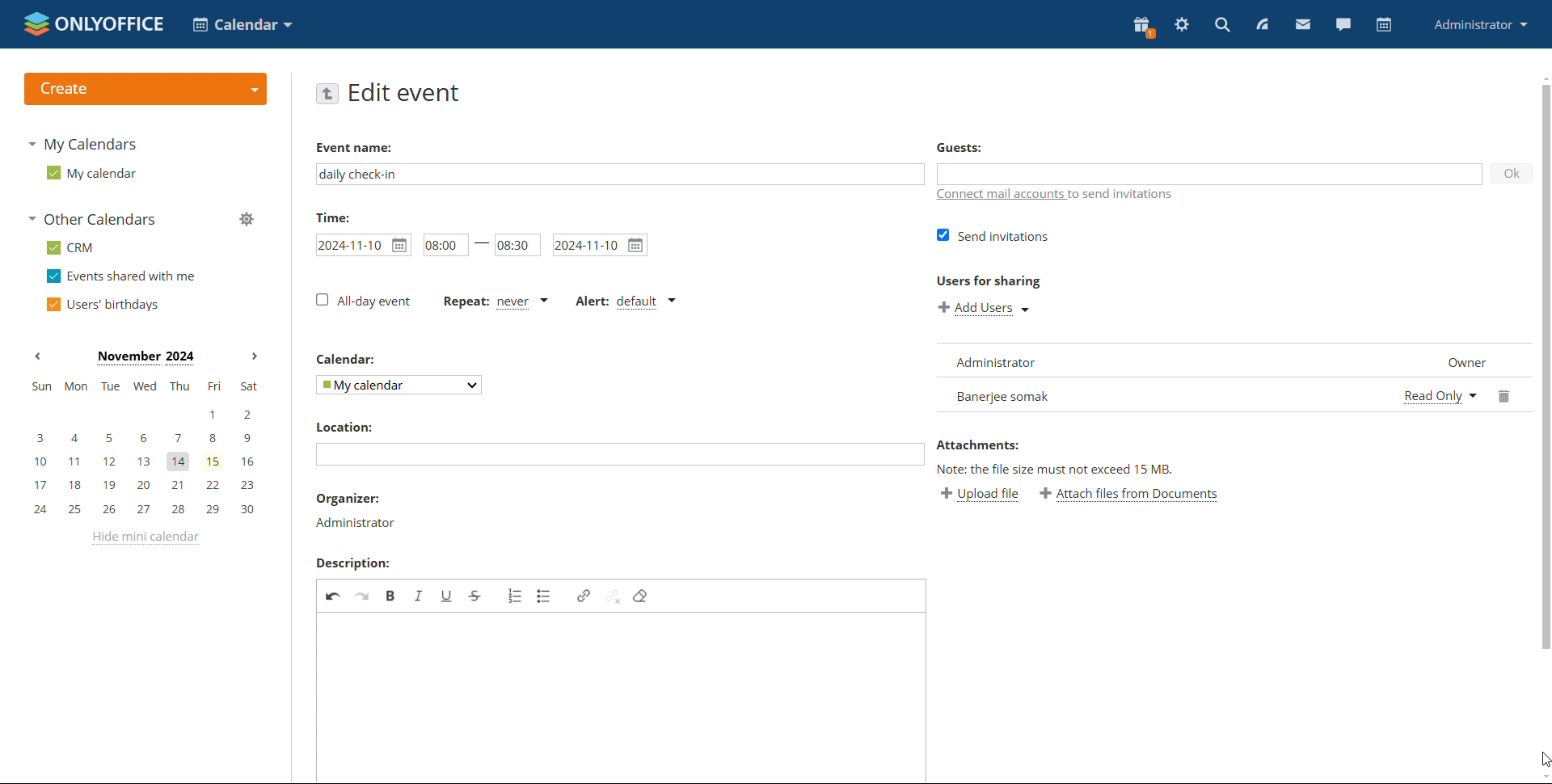 This screenshot has height=784, width=1552. Describe the element at coordinates (641, 596) in the screenshot. I see `remove format` at that location.